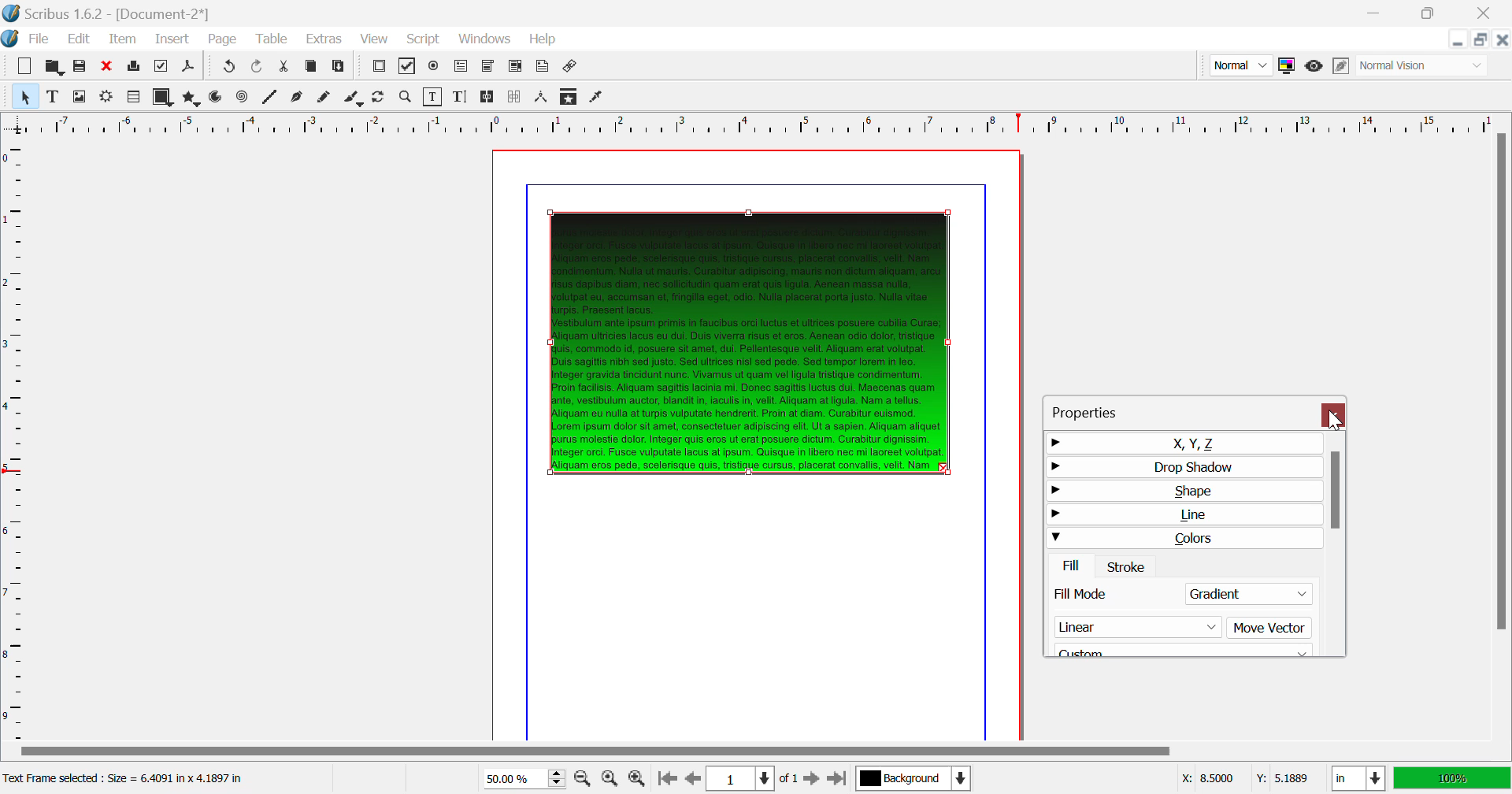 Image resolution: width=1512 pixels, height=794 pixels. I want to click on Extras, so click(322, 39).